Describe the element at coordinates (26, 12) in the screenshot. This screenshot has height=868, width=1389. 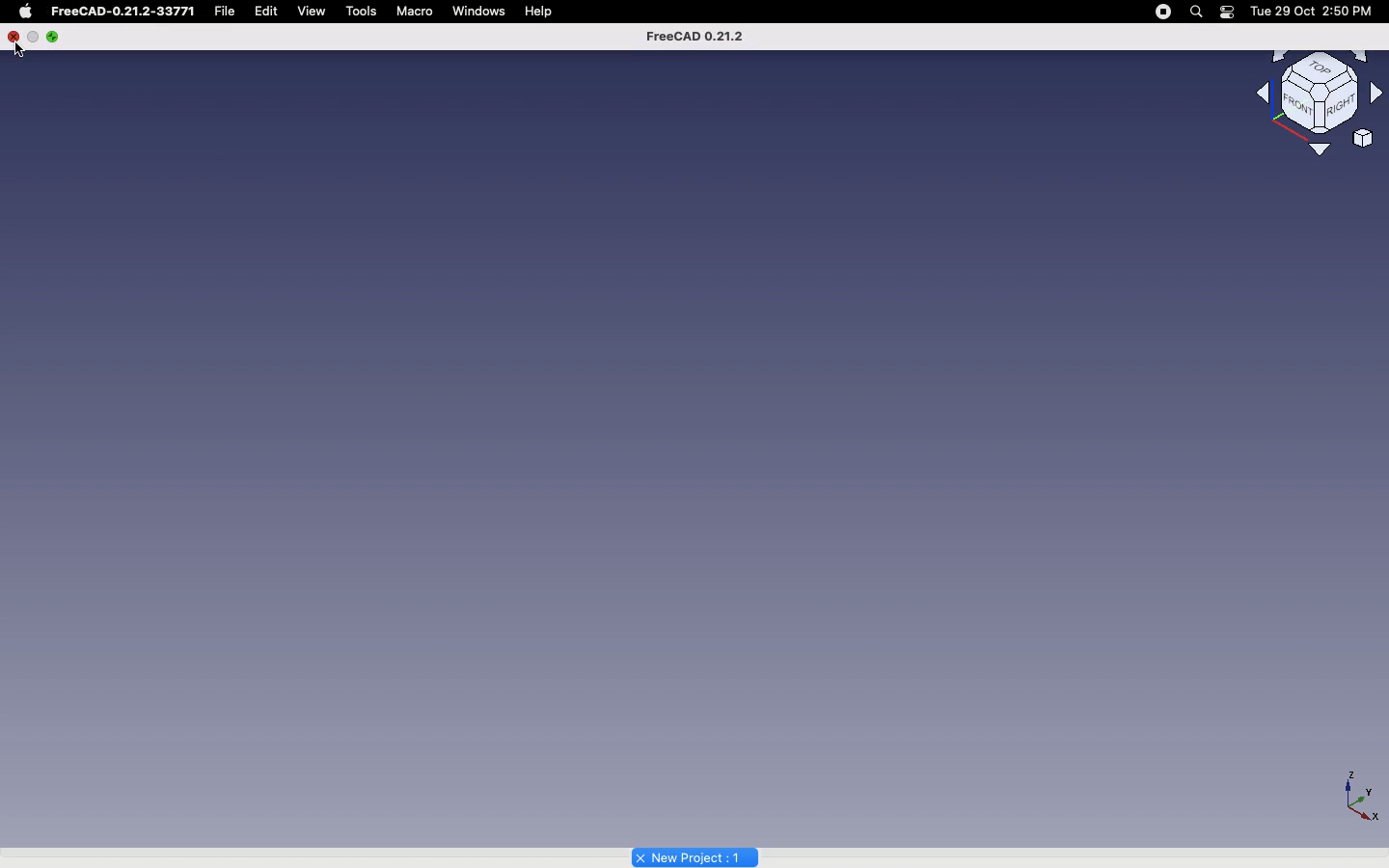
I see `Apple logo` at that location.